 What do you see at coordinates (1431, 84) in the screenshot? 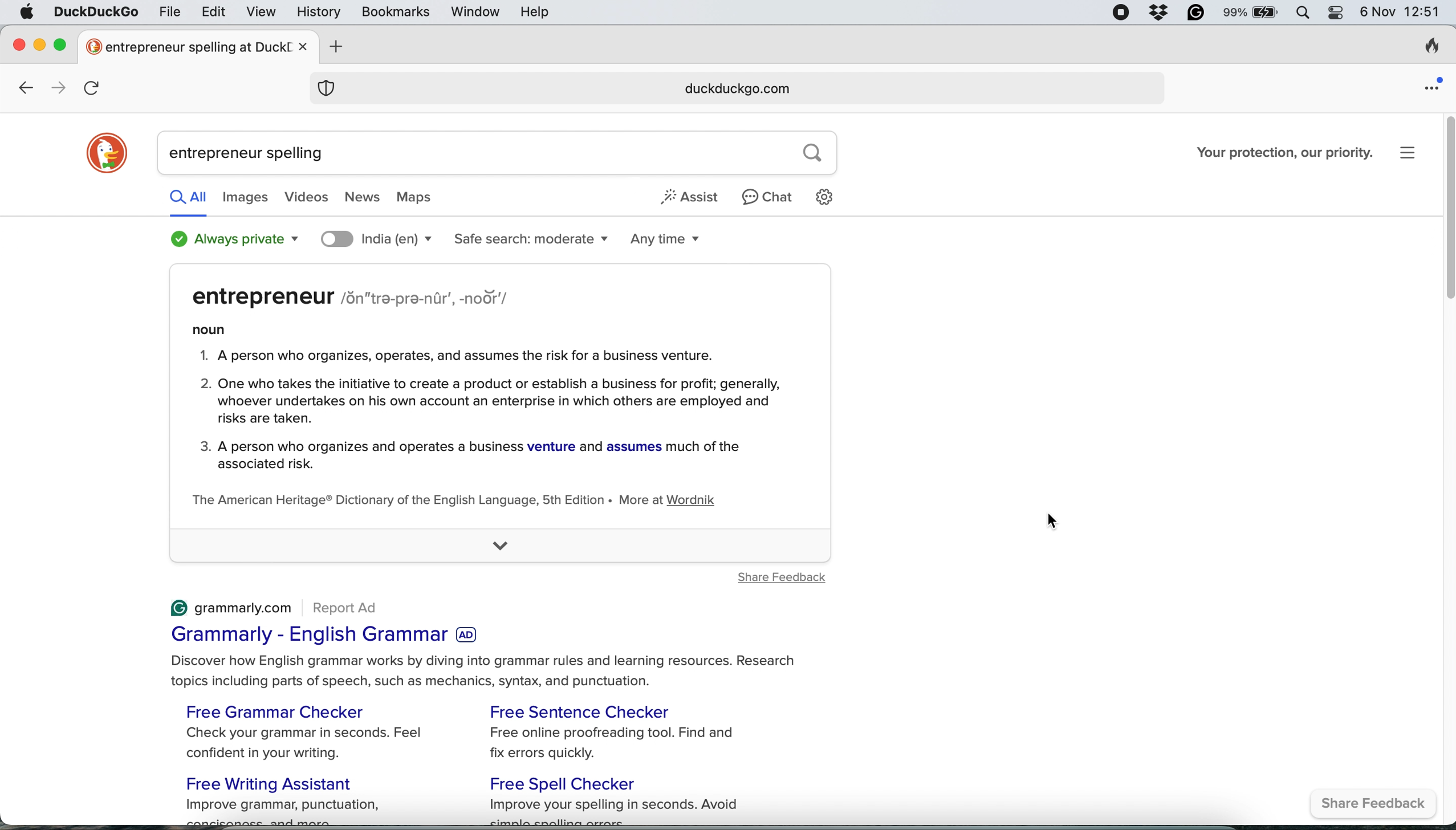
I see `open application menu` at bounding box center [1431, 84].